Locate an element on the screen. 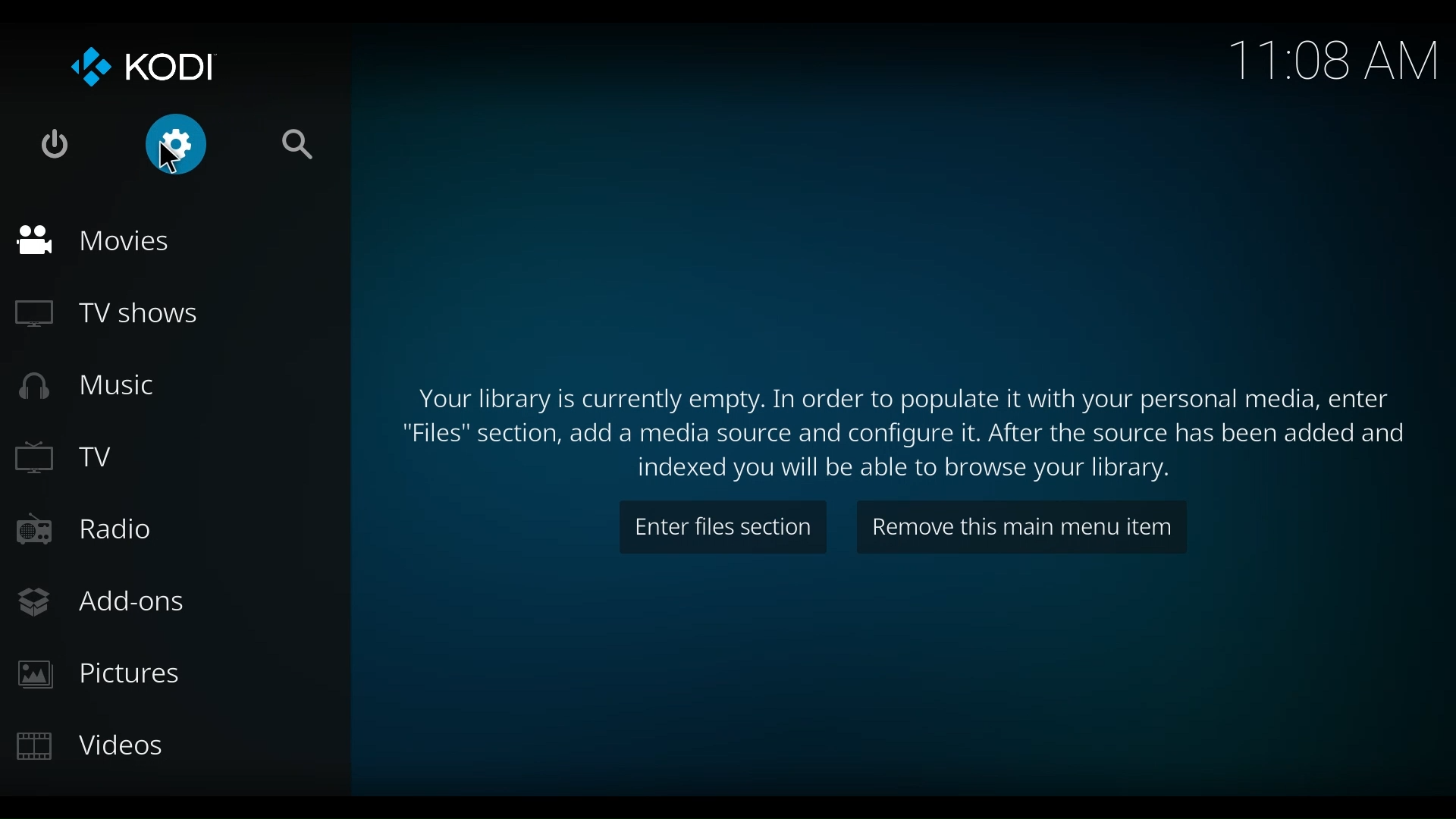 This screenshot has height=819, width=1456. Videos is located at coordinates (99, 746).